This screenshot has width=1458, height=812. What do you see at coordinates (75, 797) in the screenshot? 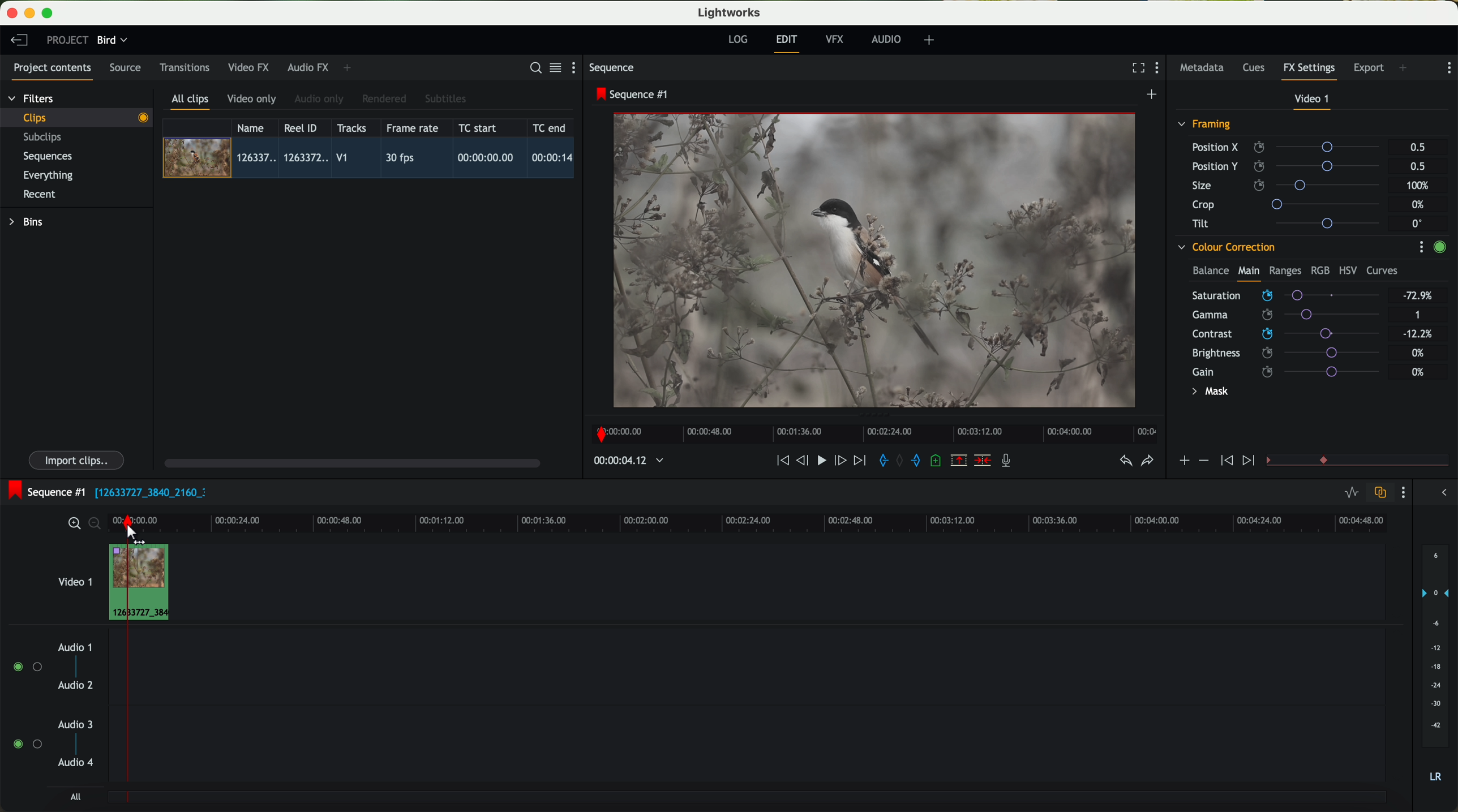
I see `all` at bounding box center [75, 797].